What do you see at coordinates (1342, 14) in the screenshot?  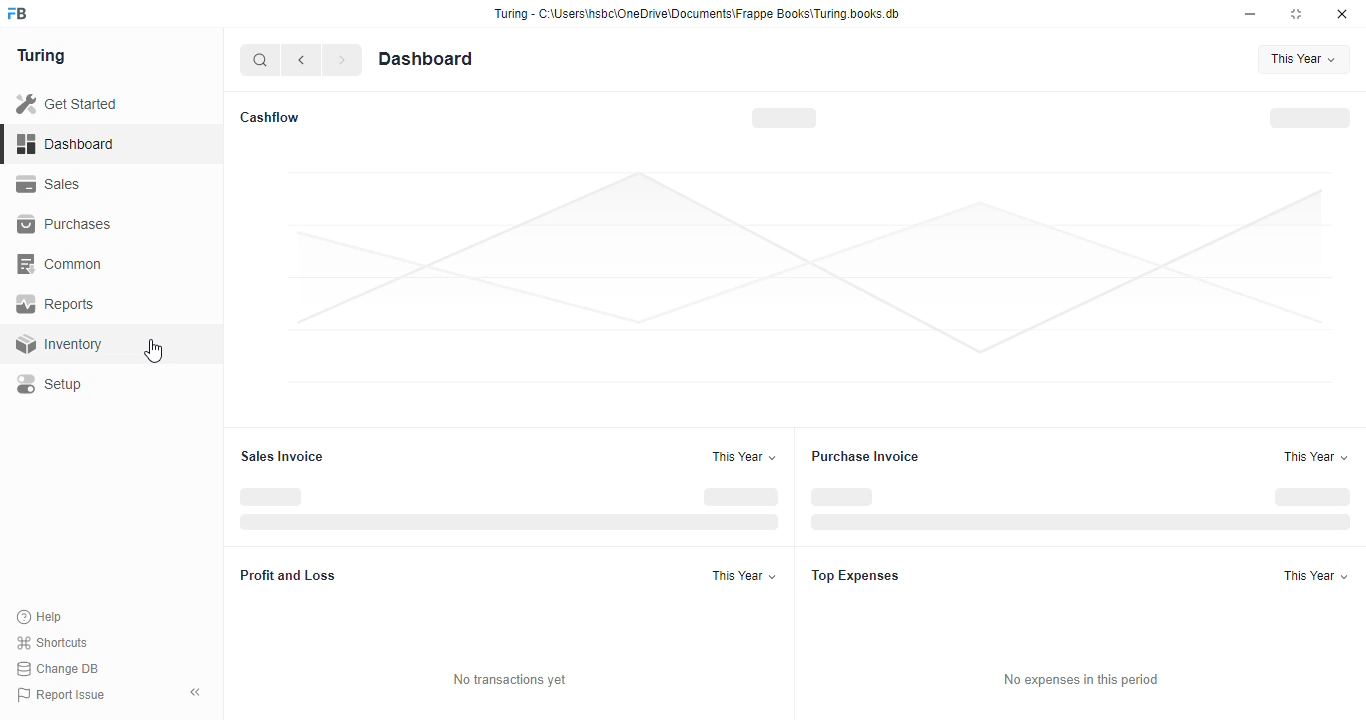 I see `close` at bounding box center [1342, 14].